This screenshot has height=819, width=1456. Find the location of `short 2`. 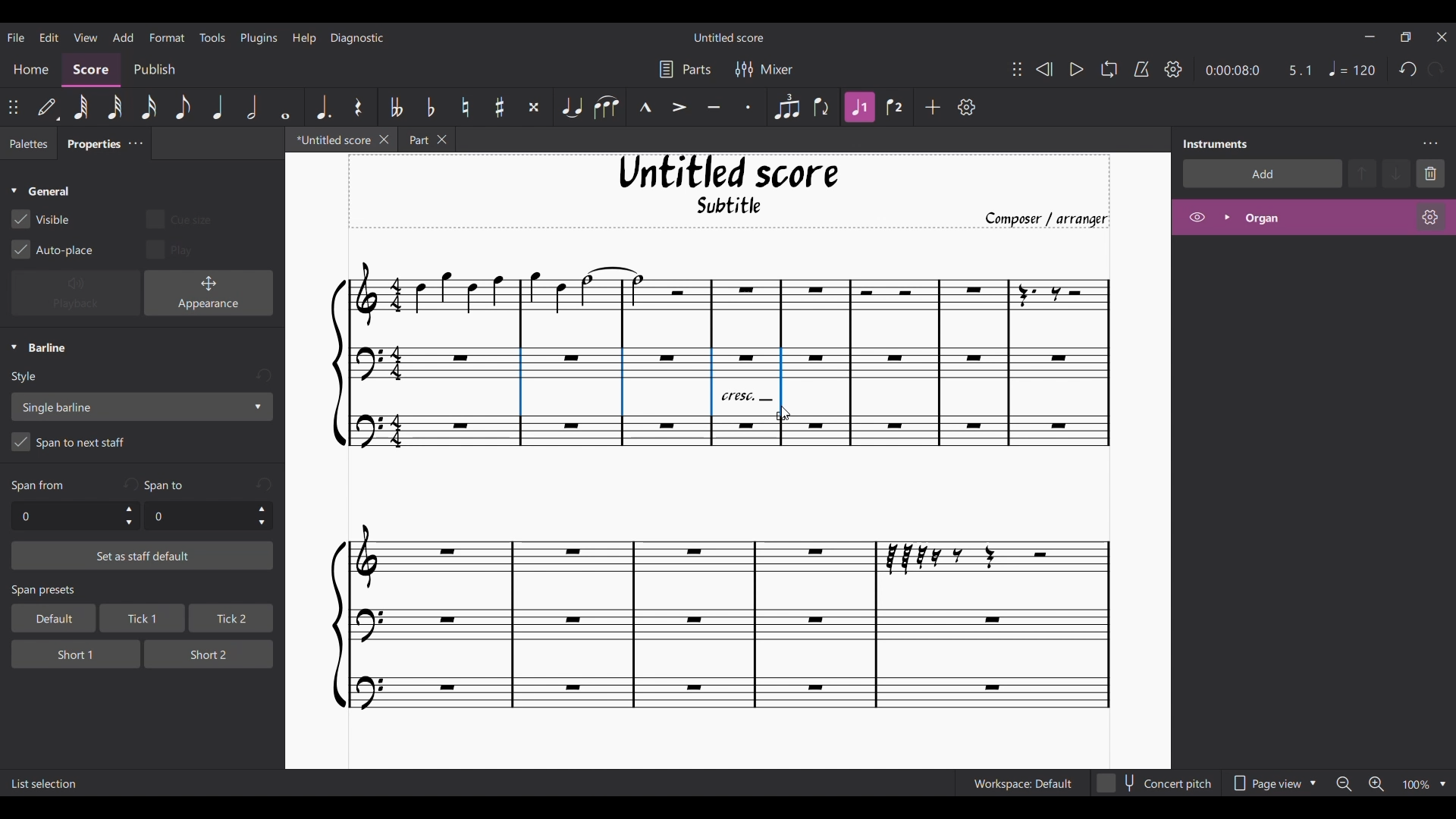

short 2 is located at coordinates (202, 653).